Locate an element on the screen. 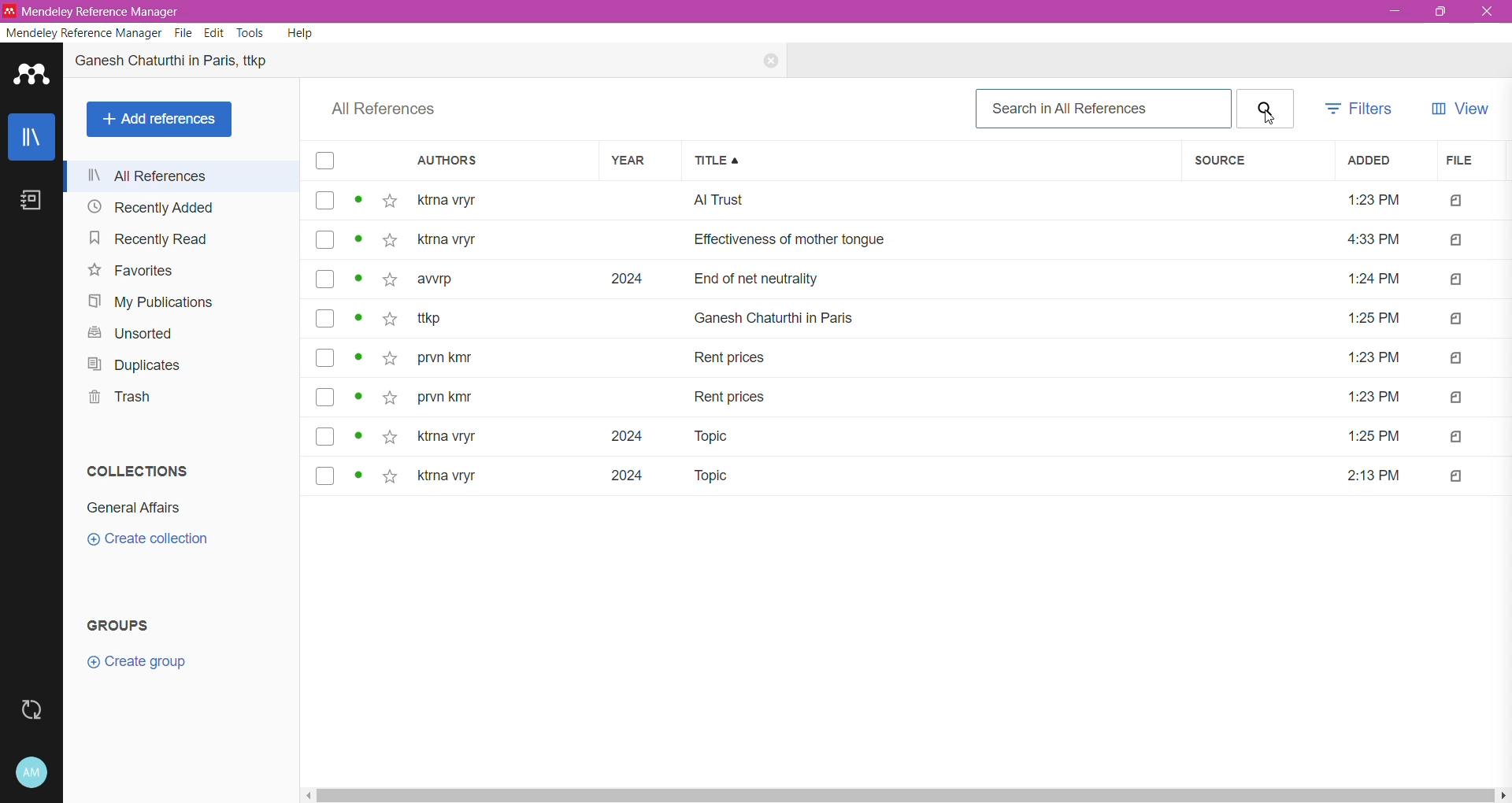 The image size is (1512, 803). view status is located at coordinates (358, 398).